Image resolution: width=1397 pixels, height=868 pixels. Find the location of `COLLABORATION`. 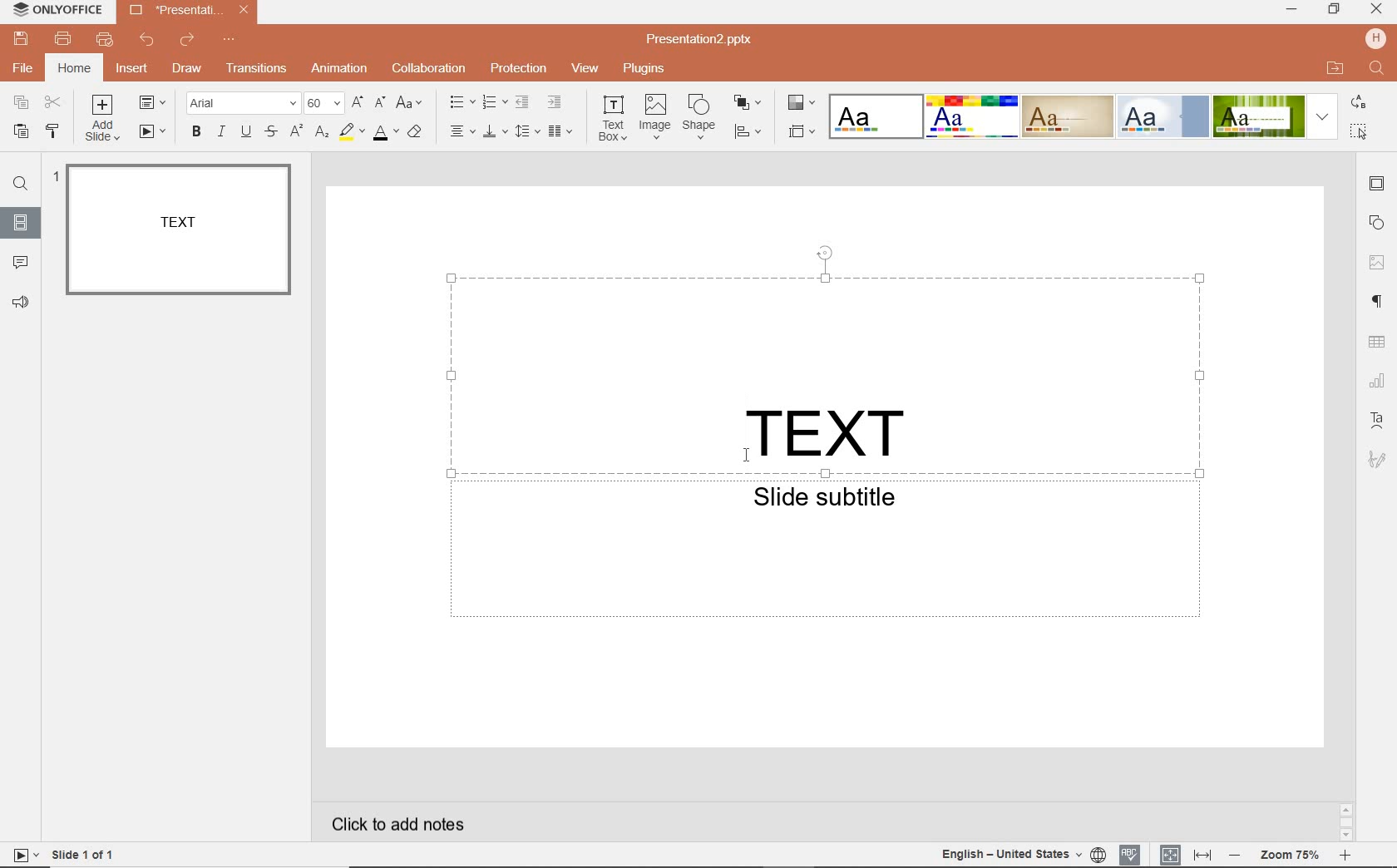

COLLABORATION is located at coordinates (429, 67).